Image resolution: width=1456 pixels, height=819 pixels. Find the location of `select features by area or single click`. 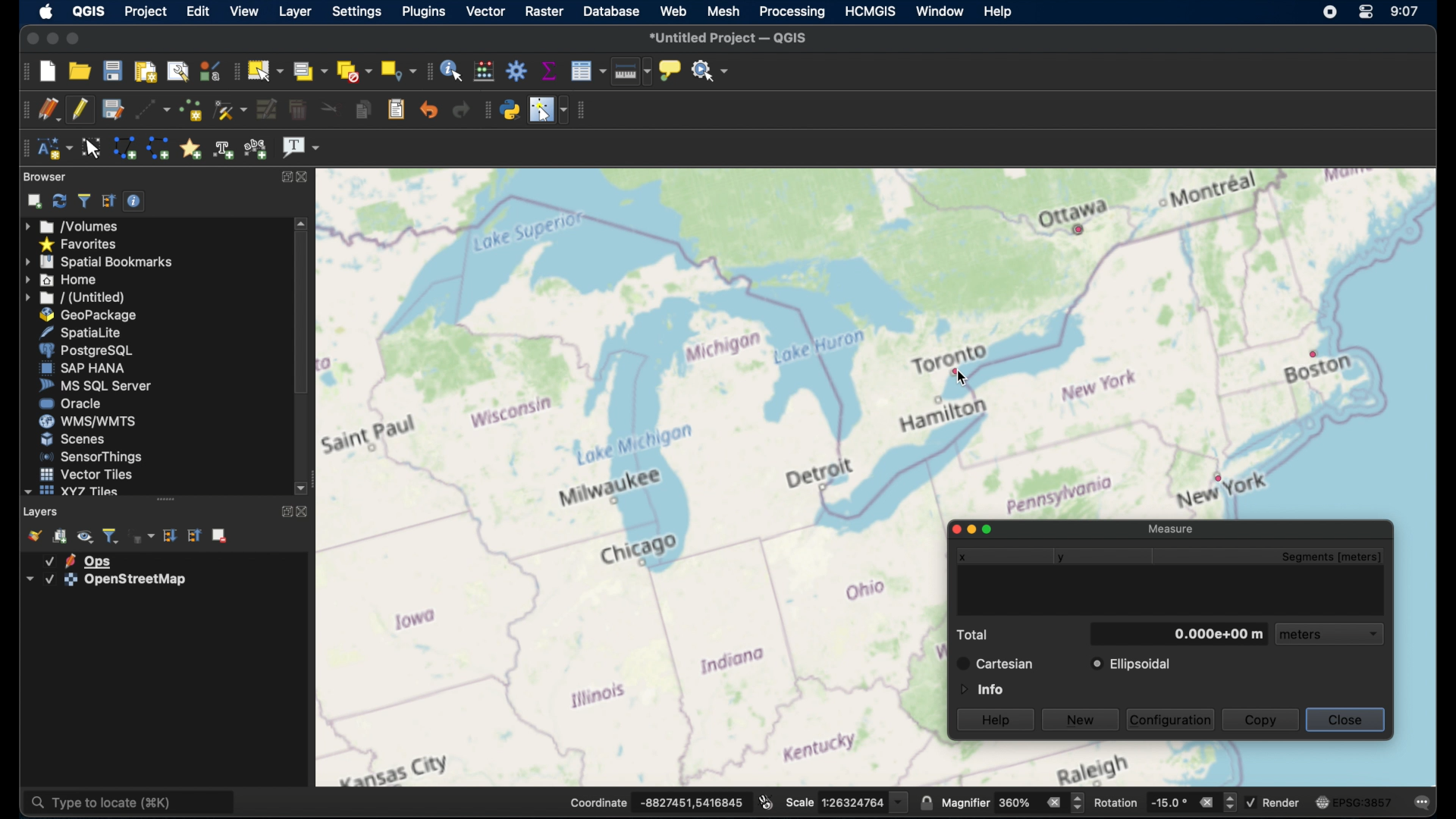

select features by area or single click is located at coordinates (268, 70).